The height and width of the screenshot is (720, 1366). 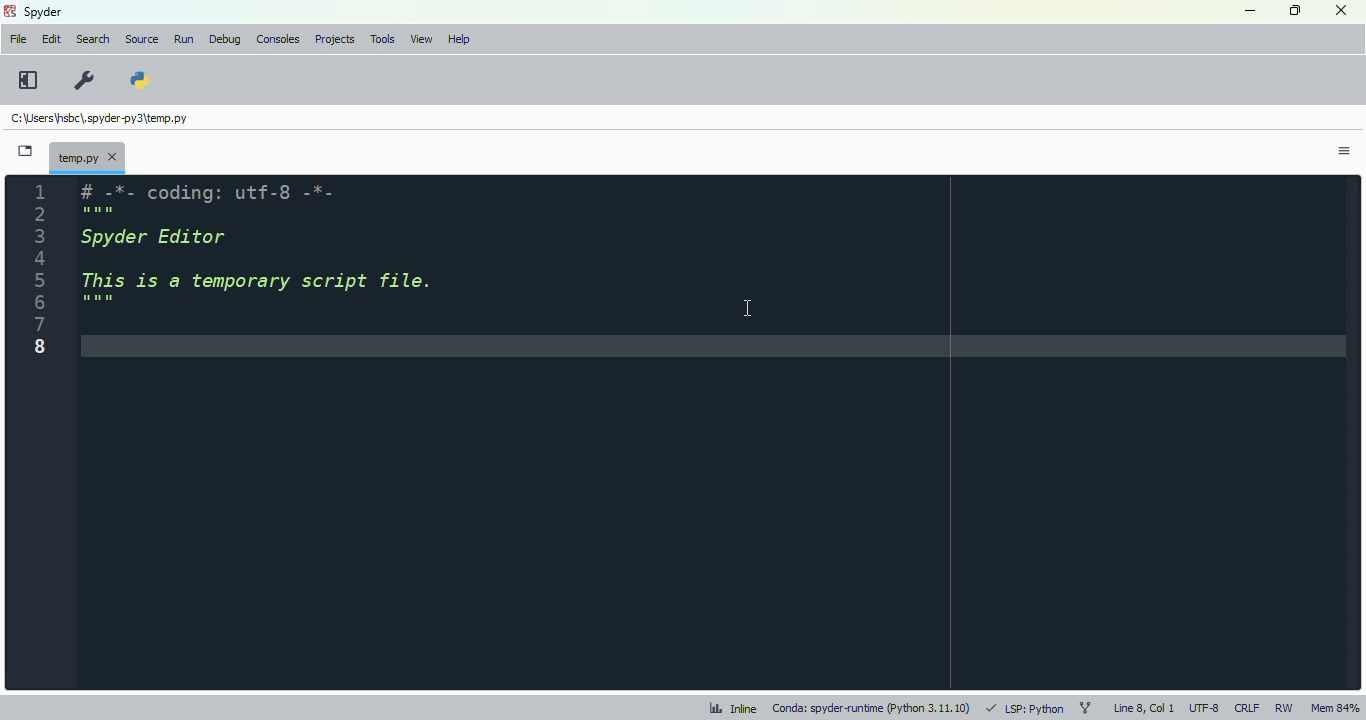 What do you see at coordinates (1252, 11) in the screenshot?
I see `minimize` at bounding box center [1252, 11].